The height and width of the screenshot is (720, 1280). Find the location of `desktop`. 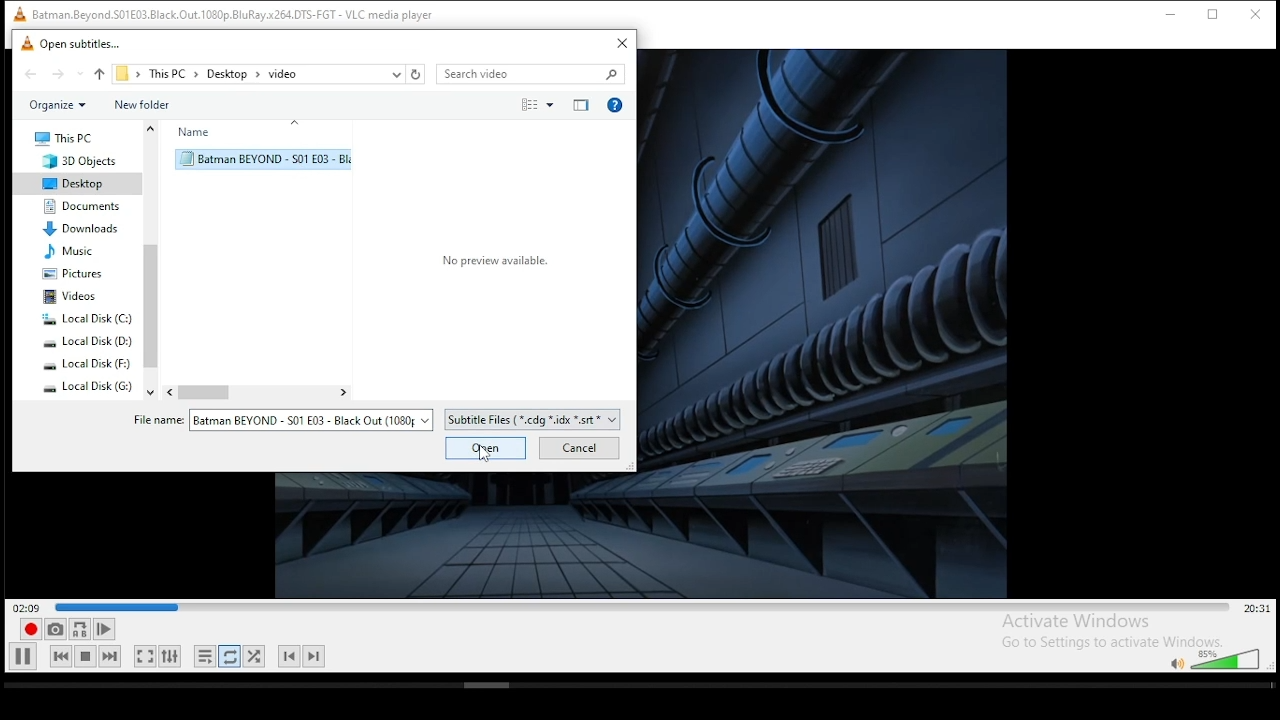

desktop is located at coordinates (226, 74).